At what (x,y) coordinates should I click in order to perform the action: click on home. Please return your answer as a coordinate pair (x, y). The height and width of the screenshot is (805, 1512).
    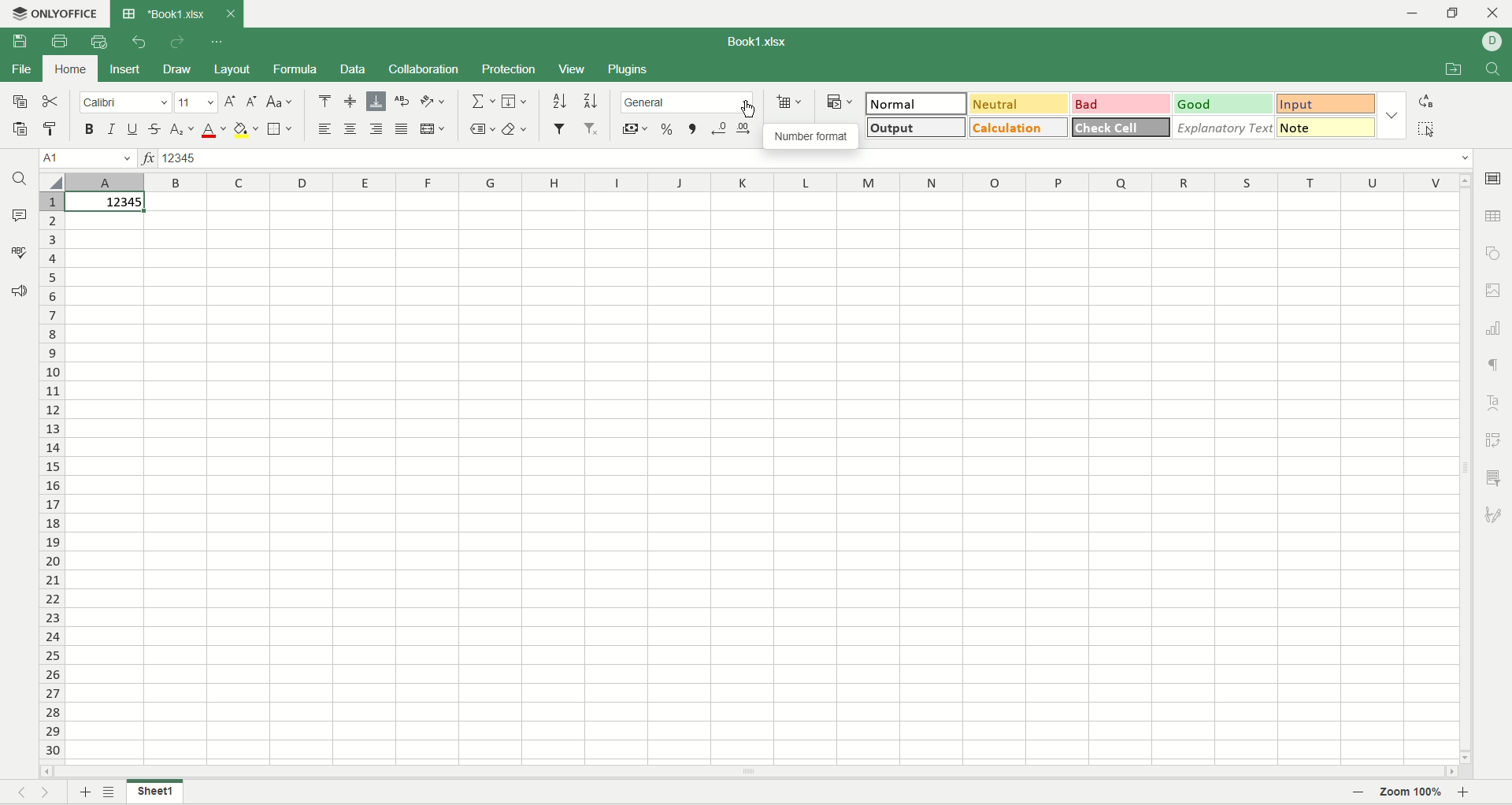
    Looking at the image, I should click on (69, 70).